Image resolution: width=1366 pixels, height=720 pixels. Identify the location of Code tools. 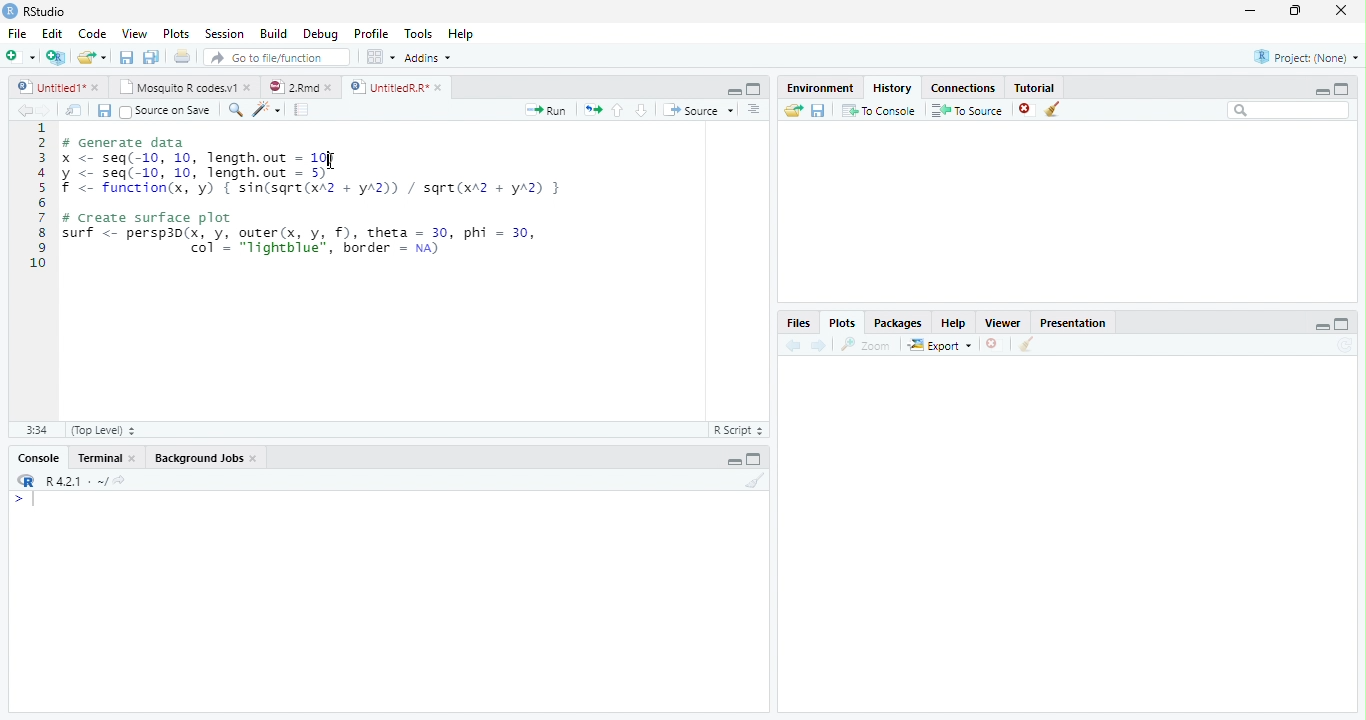
(267, 109).